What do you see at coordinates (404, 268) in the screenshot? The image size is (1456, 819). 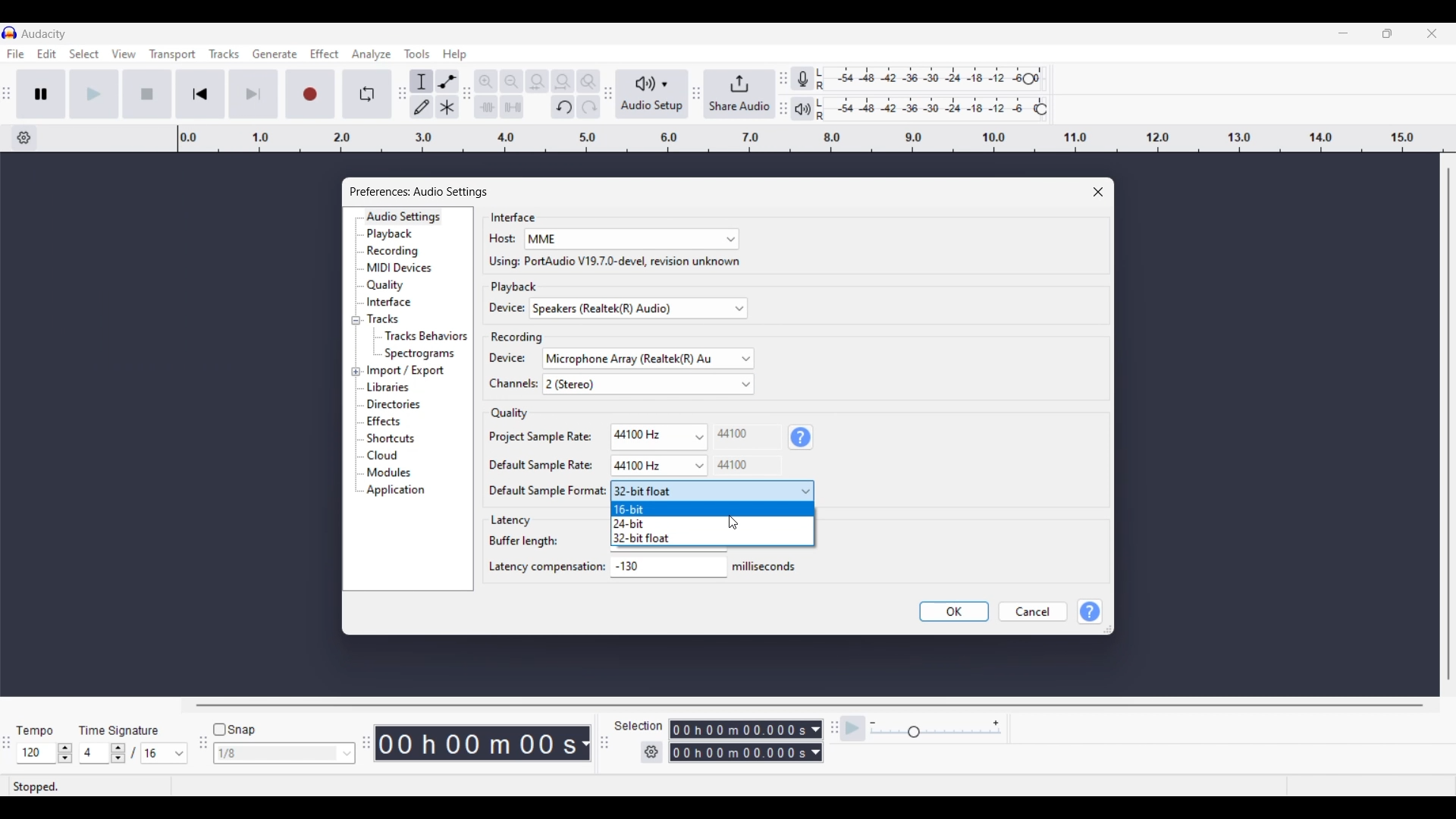 I see `MIDI devices` at bounding box center [404, 268].